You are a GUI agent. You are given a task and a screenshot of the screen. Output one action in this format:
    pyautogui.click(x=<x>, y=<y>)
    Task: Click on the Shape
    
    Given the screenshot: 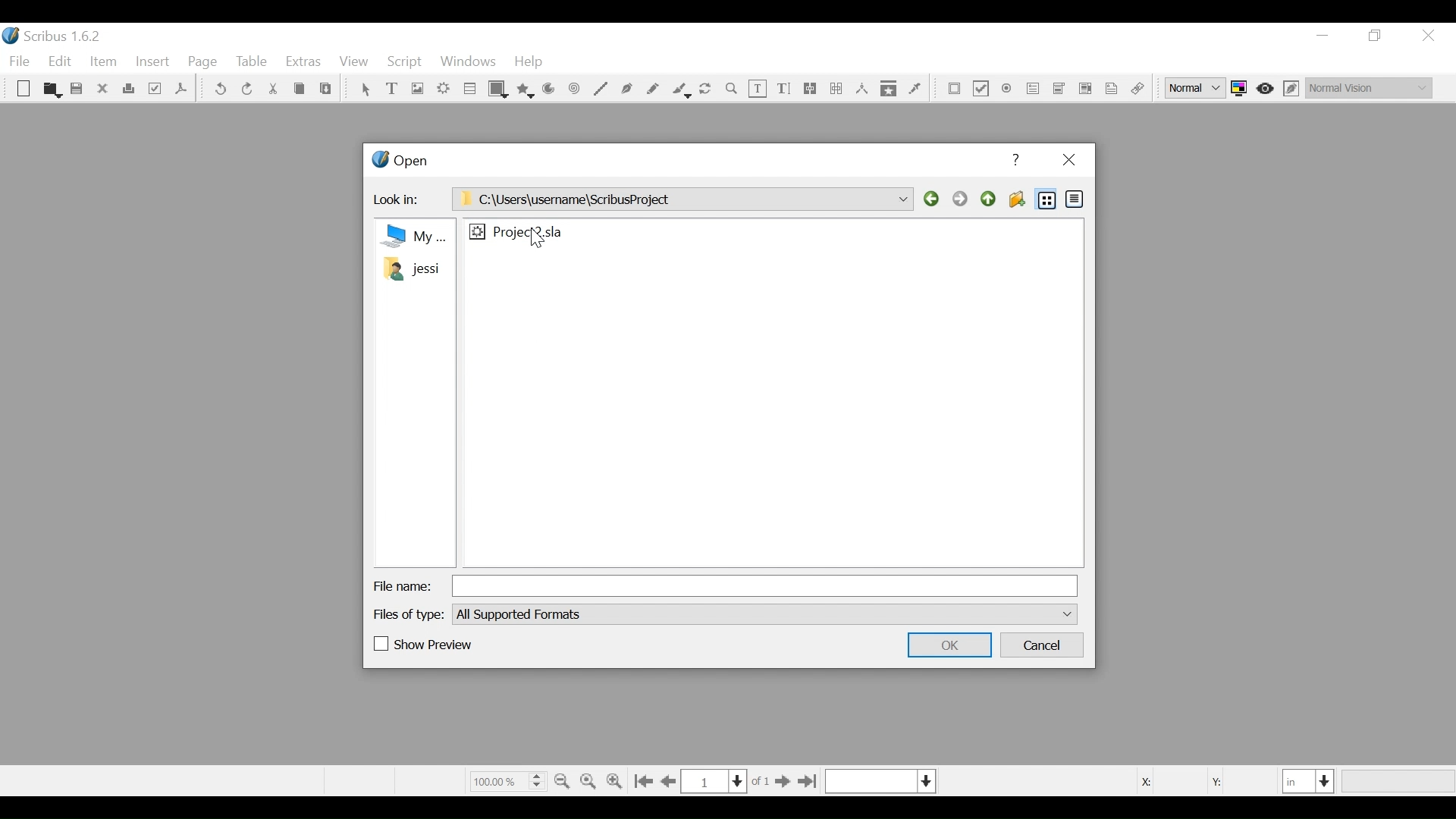 What is the action you would take?
    pyautogui.click(x=499, y=89)
    